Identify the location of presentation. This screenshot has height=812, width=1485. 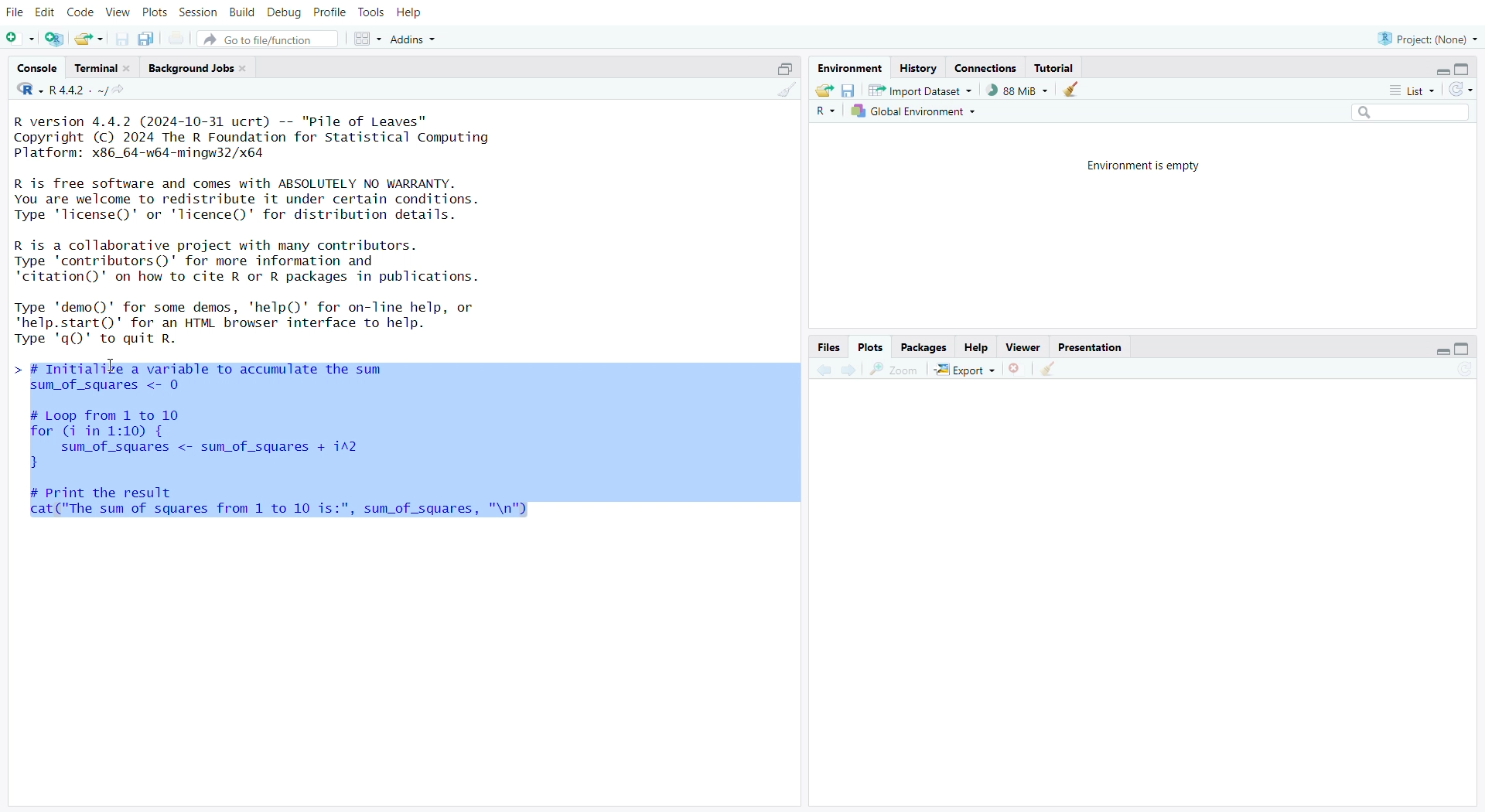
(1089, 346).